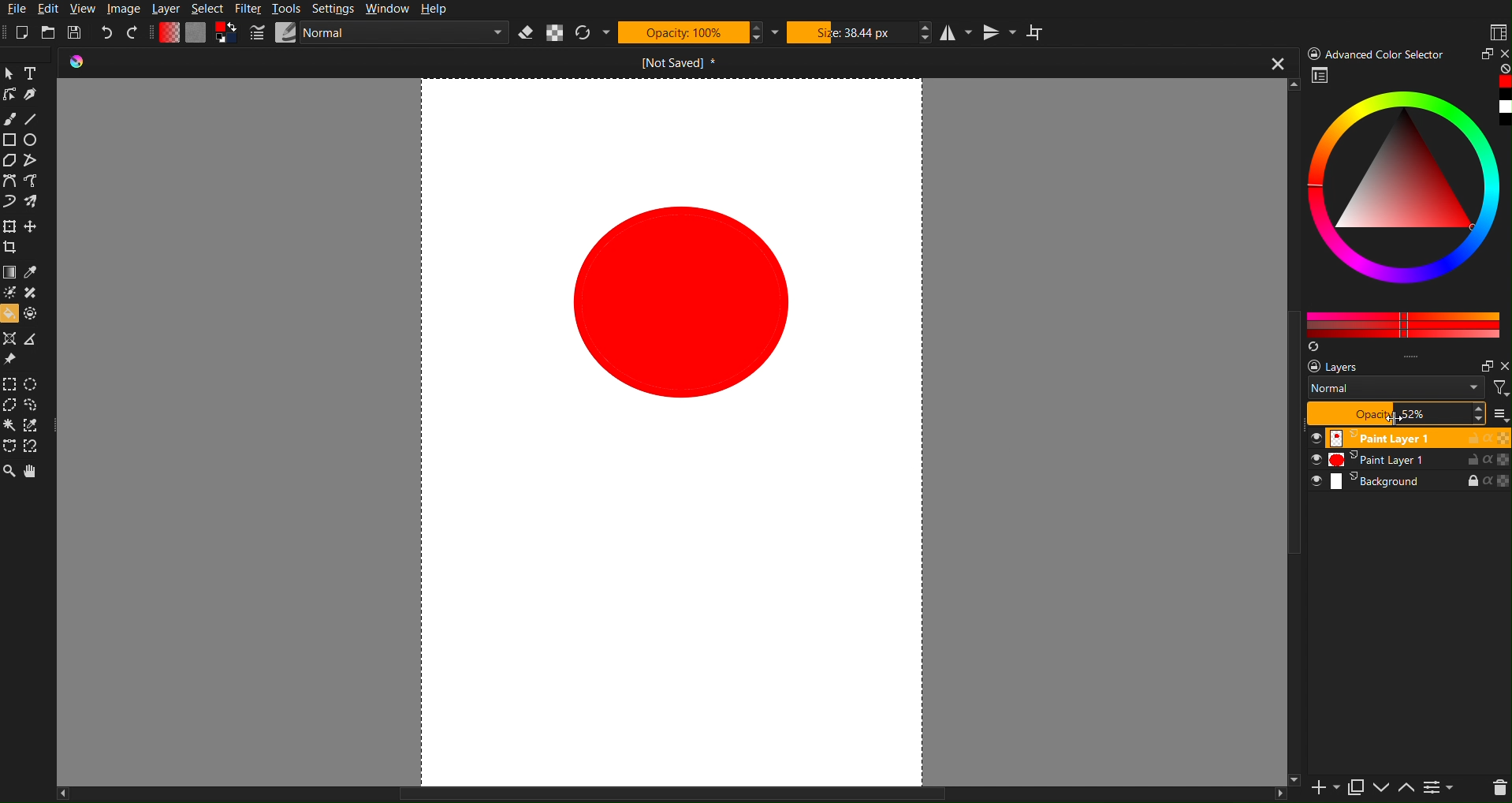 Image resolution: width=1512 pixels, height=803 pixels. Describe the element at coordinates (33, 272) in the screenshot. I see `Eyedropper` at that location.